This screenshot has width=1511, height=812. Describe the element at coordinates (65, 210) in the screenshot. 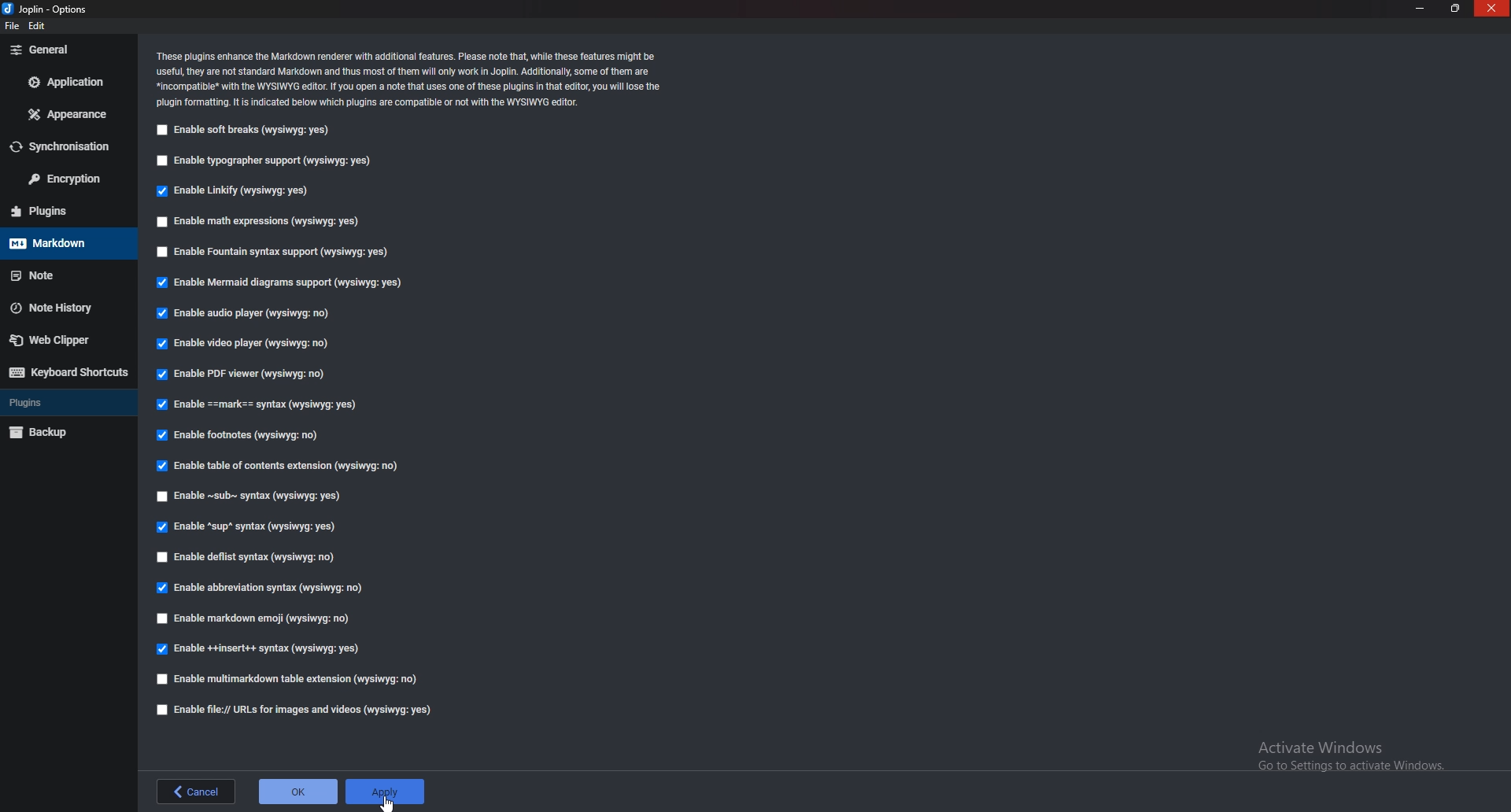

I see `Plugins` at that location.